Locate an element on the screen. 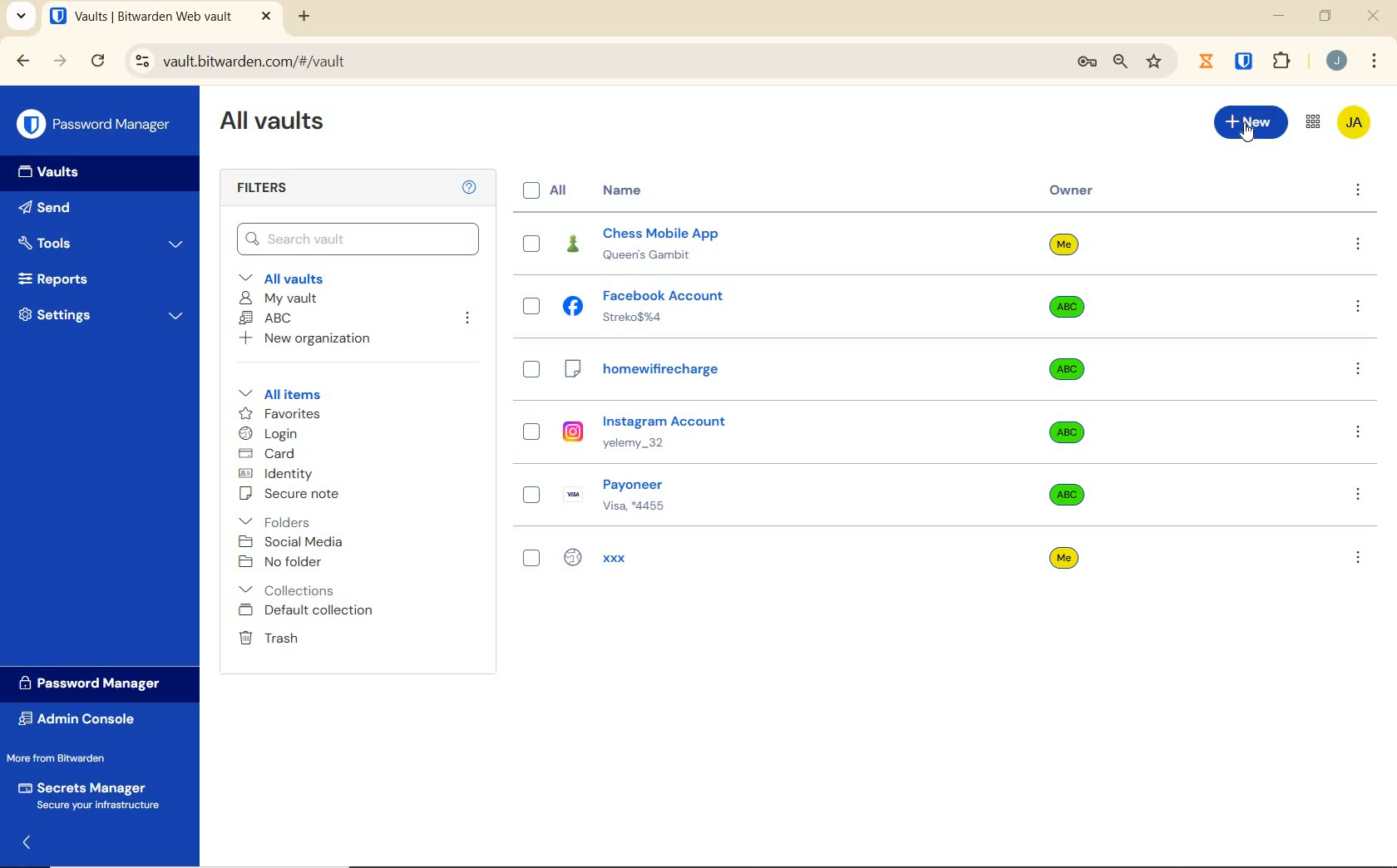 This screenshot has height=868, width=1397. bookmark is located at coordinates (1154, 62).